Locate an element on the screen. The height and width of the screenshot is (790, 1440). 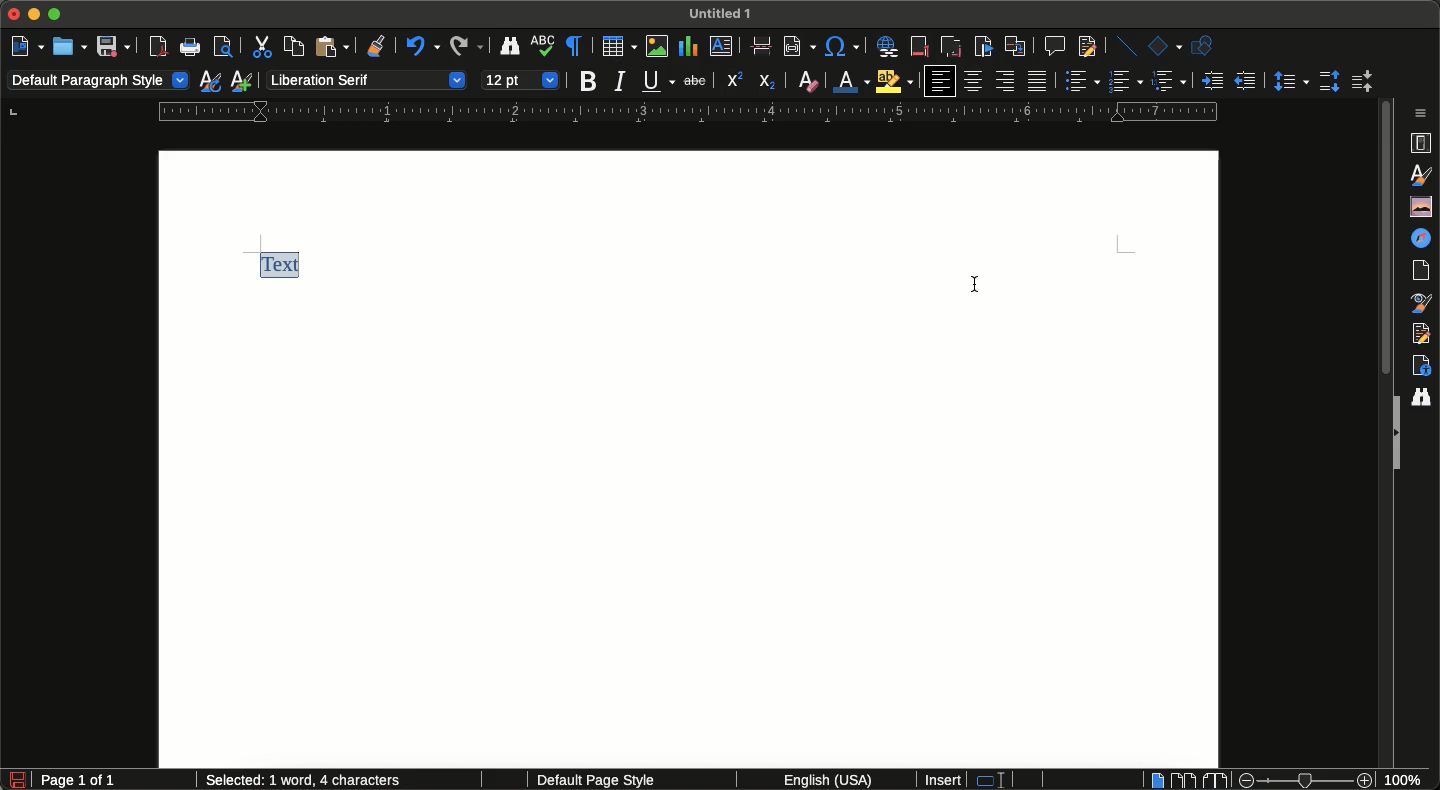
Insert is located at coordinates (944, 780).